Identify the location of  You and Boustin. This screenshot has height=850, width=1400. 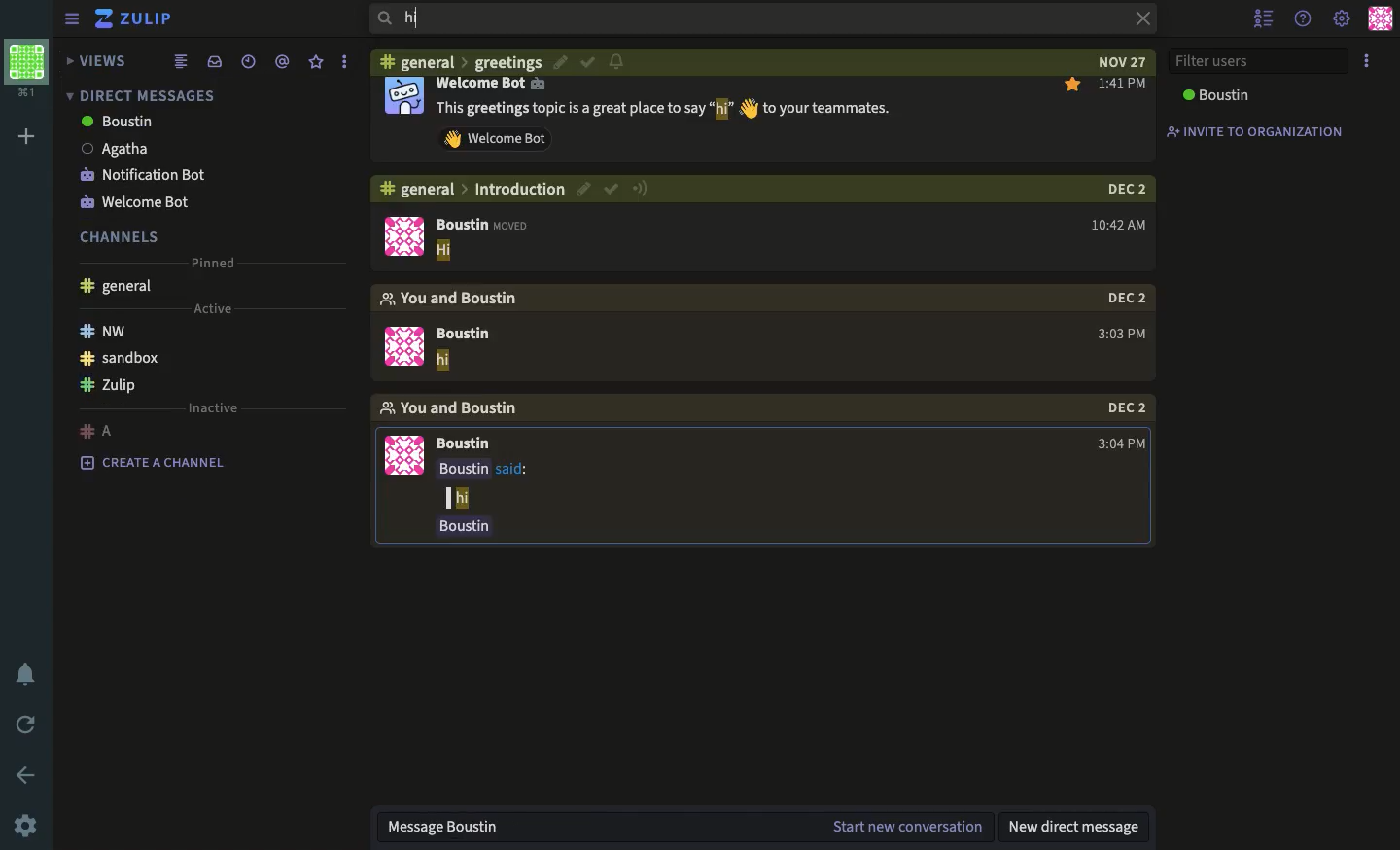
(465, 409).